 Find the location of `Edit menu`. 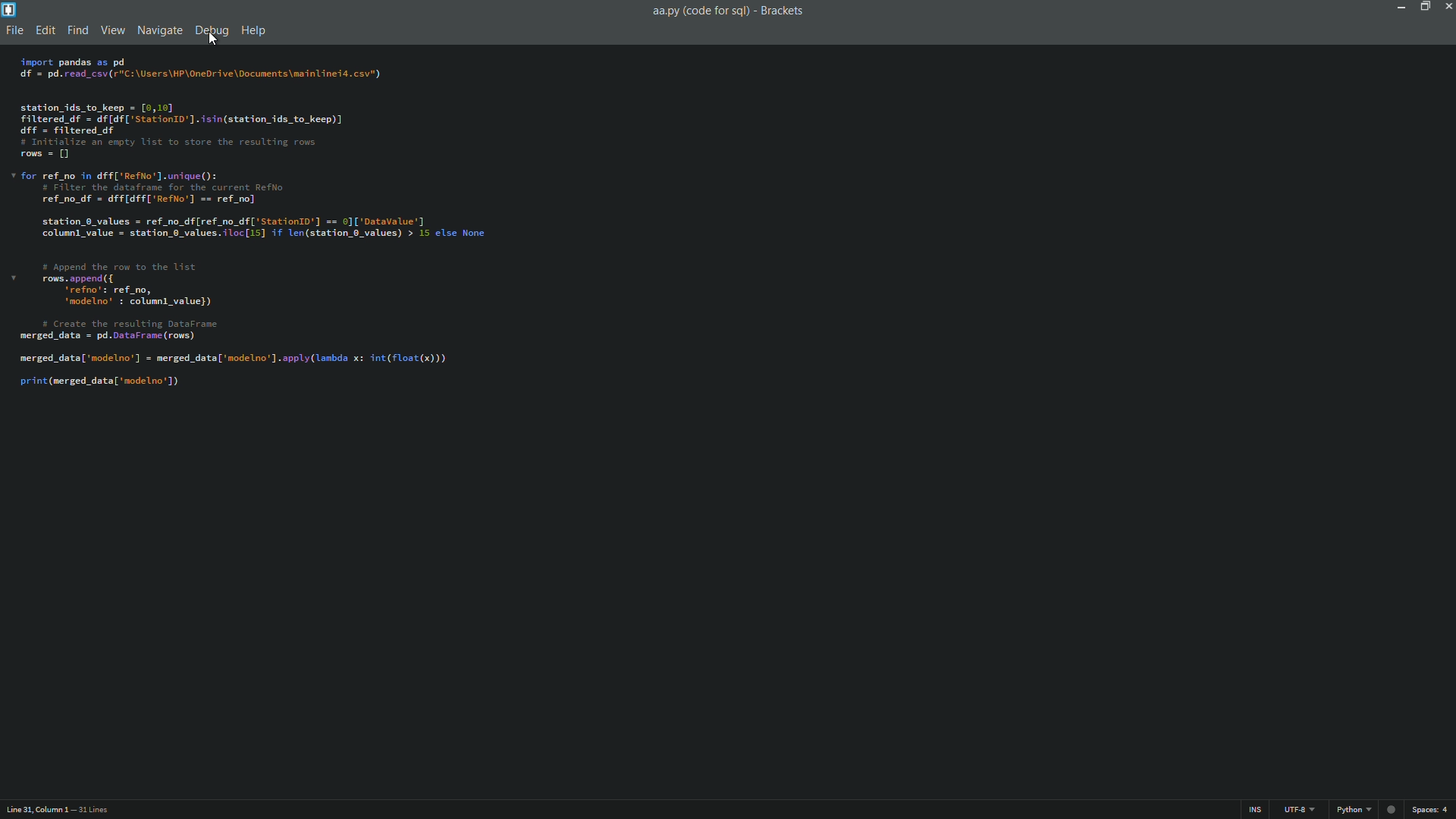

Edit menu is located at coordinates (44, 30).